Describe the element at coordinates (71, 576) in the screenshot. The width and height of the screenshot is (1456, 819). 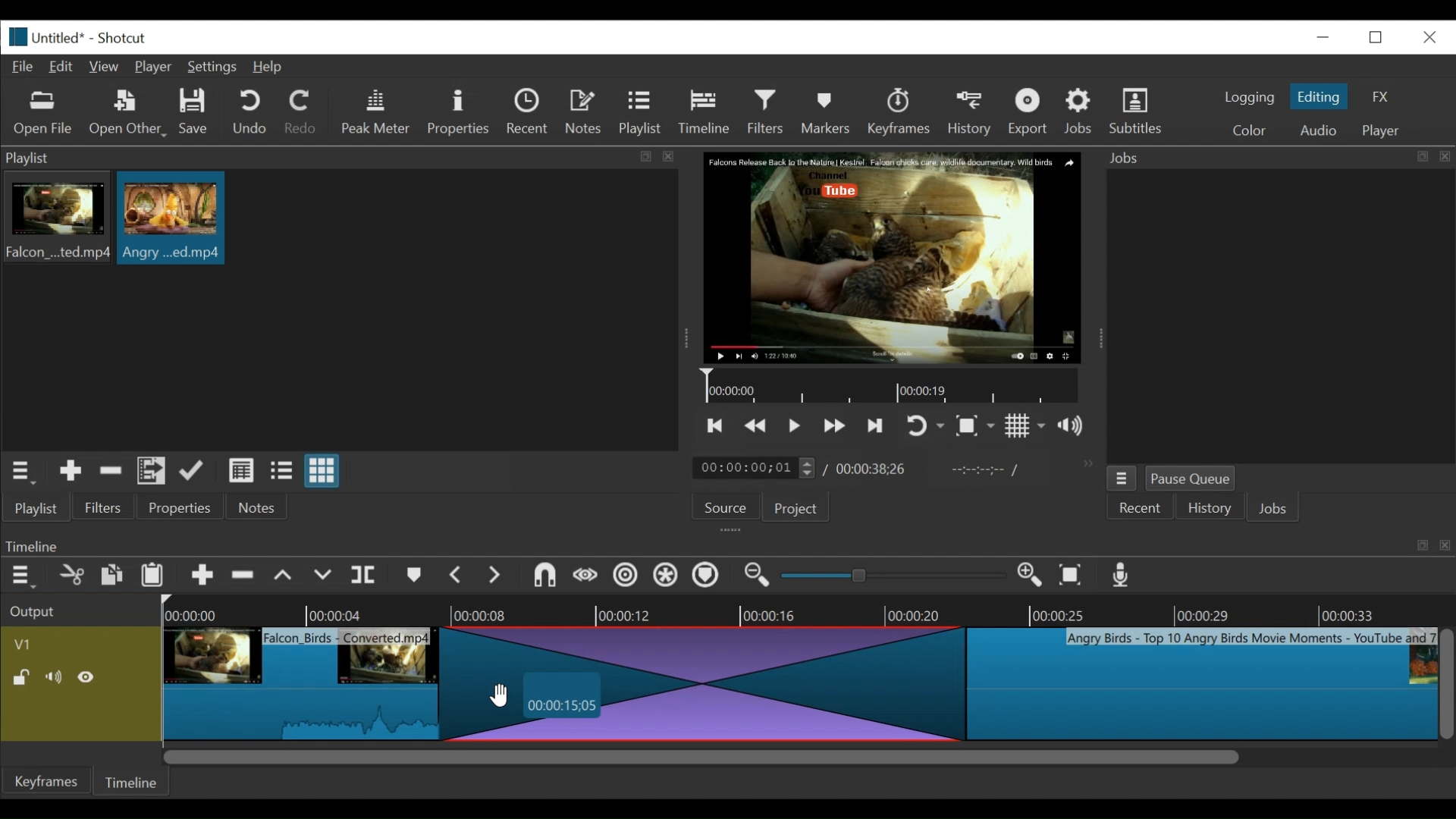
I see `cut` at that location.